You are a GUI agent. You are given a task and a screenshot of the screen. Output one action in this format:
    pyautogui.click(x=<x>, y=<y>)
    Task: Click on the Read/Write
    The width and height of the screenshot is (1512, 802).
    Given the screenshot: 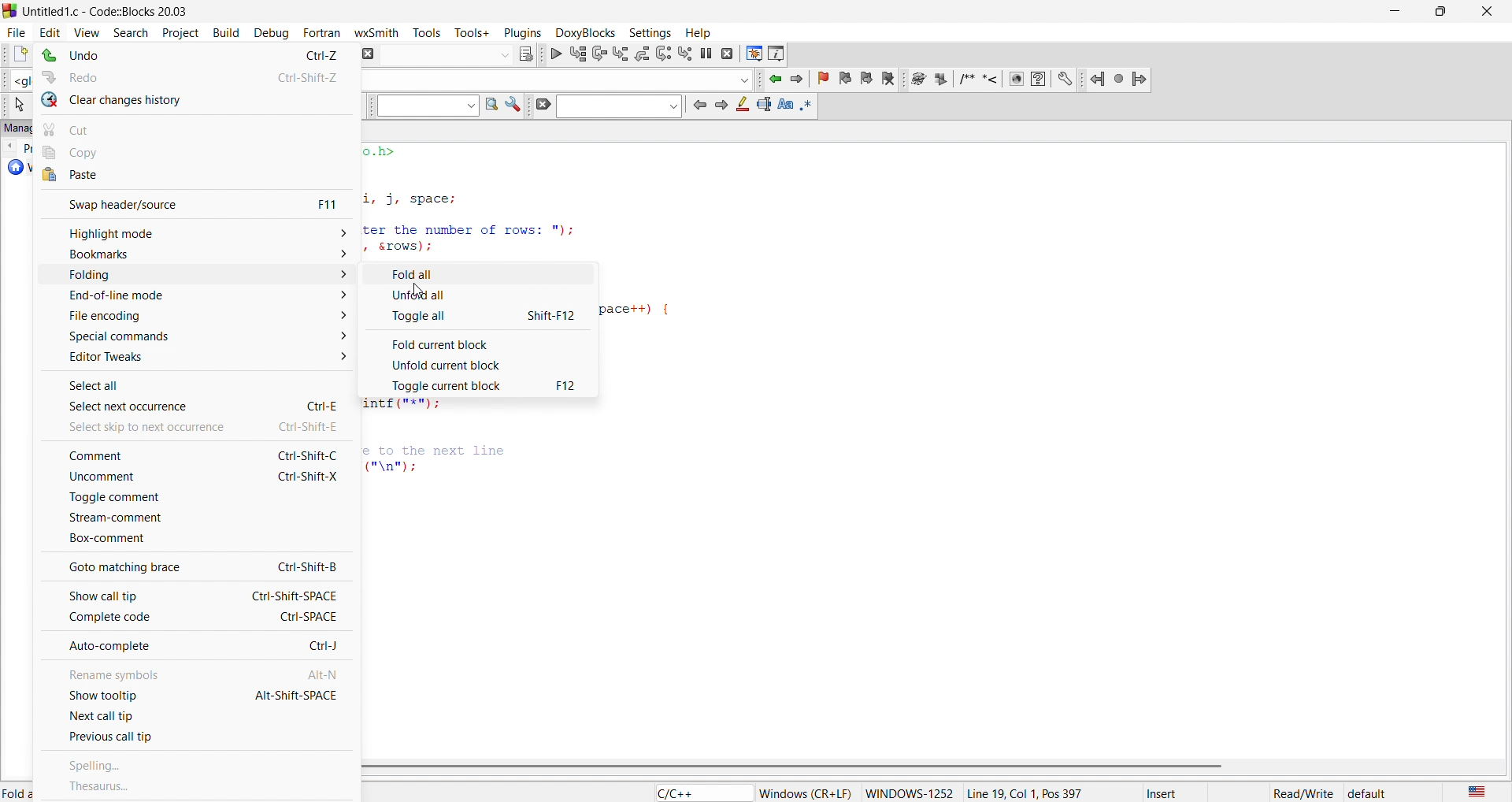 What is the action you would take?
    pyautogui.click(x=1303, y=792)
    